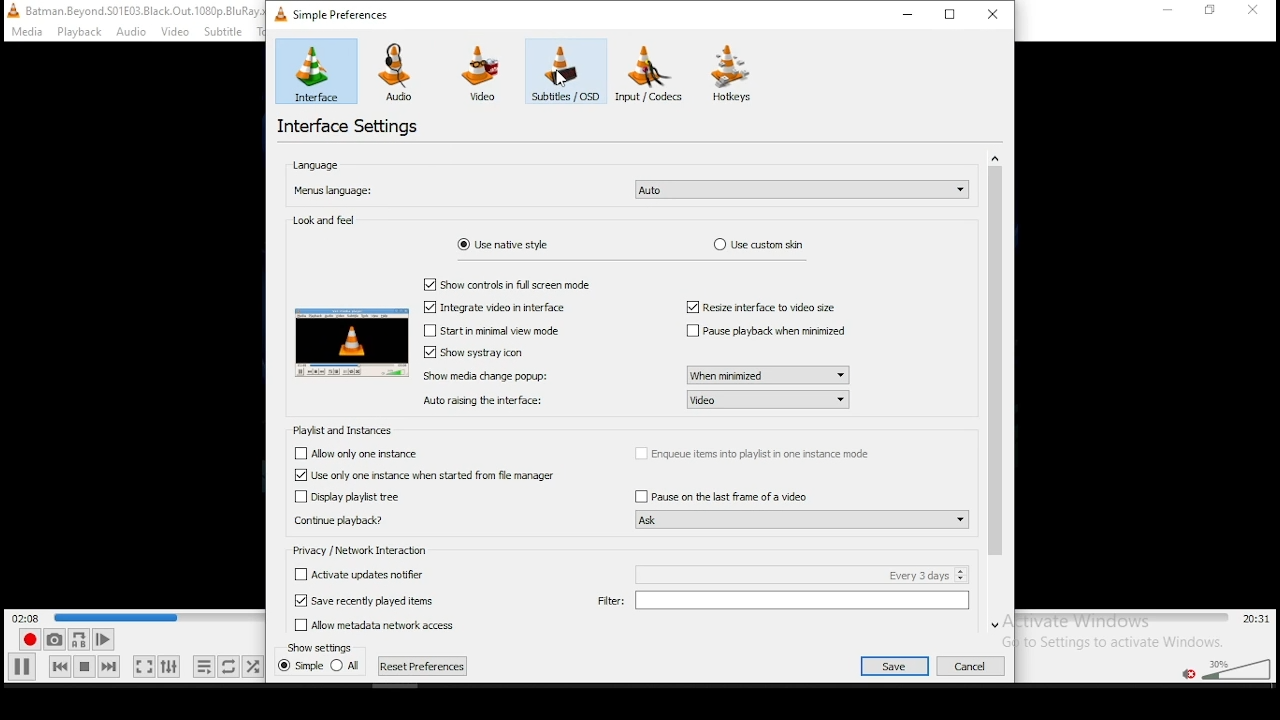  Describe the element at coordinates (334, 192) in the screenshot. I see `menus language` at that location.